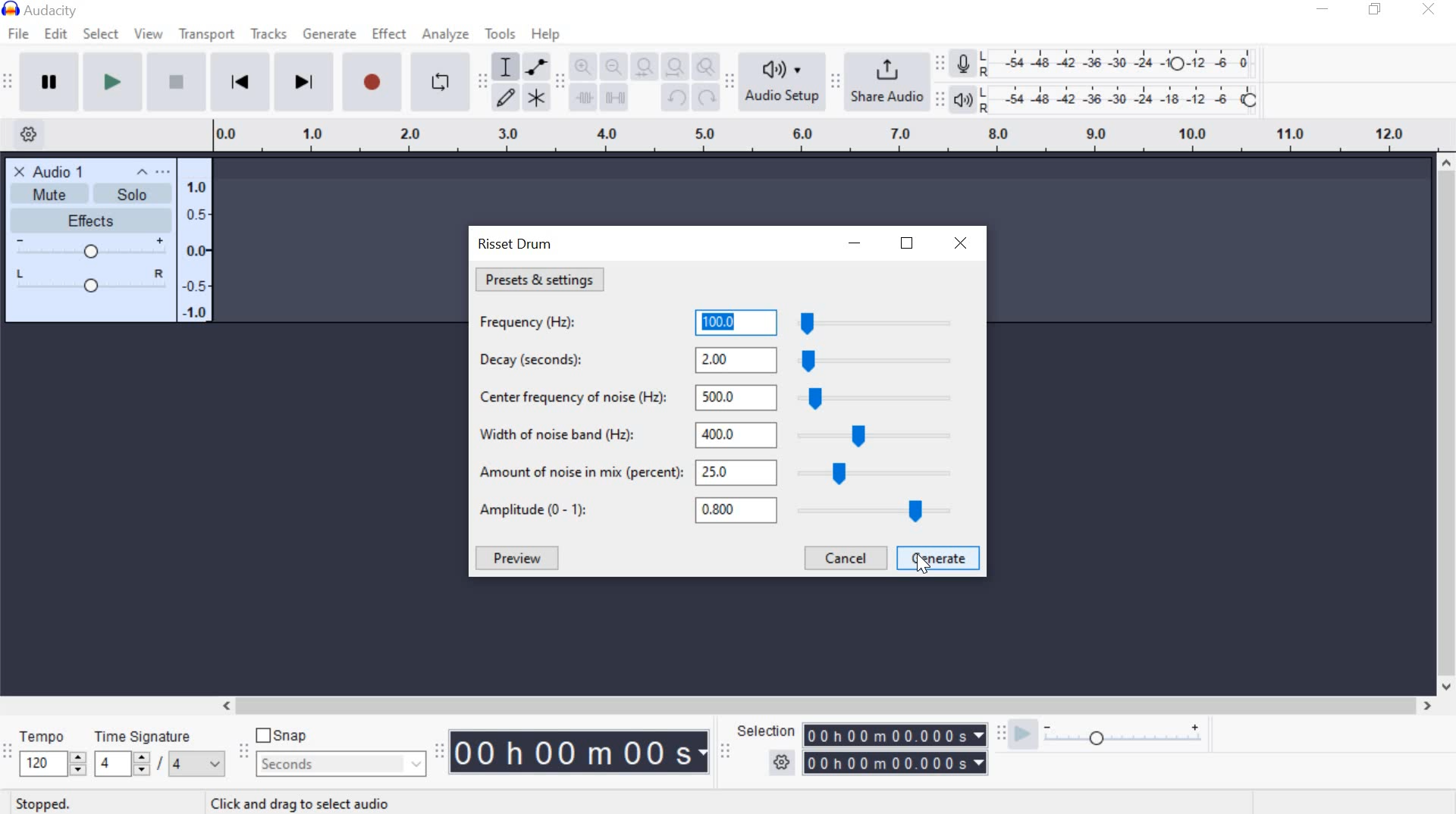 The height and width of the screenshot is (814, 1456). Describe the element at coordinates (581, 753) in the screenshot. I see `audacity time` at that location.